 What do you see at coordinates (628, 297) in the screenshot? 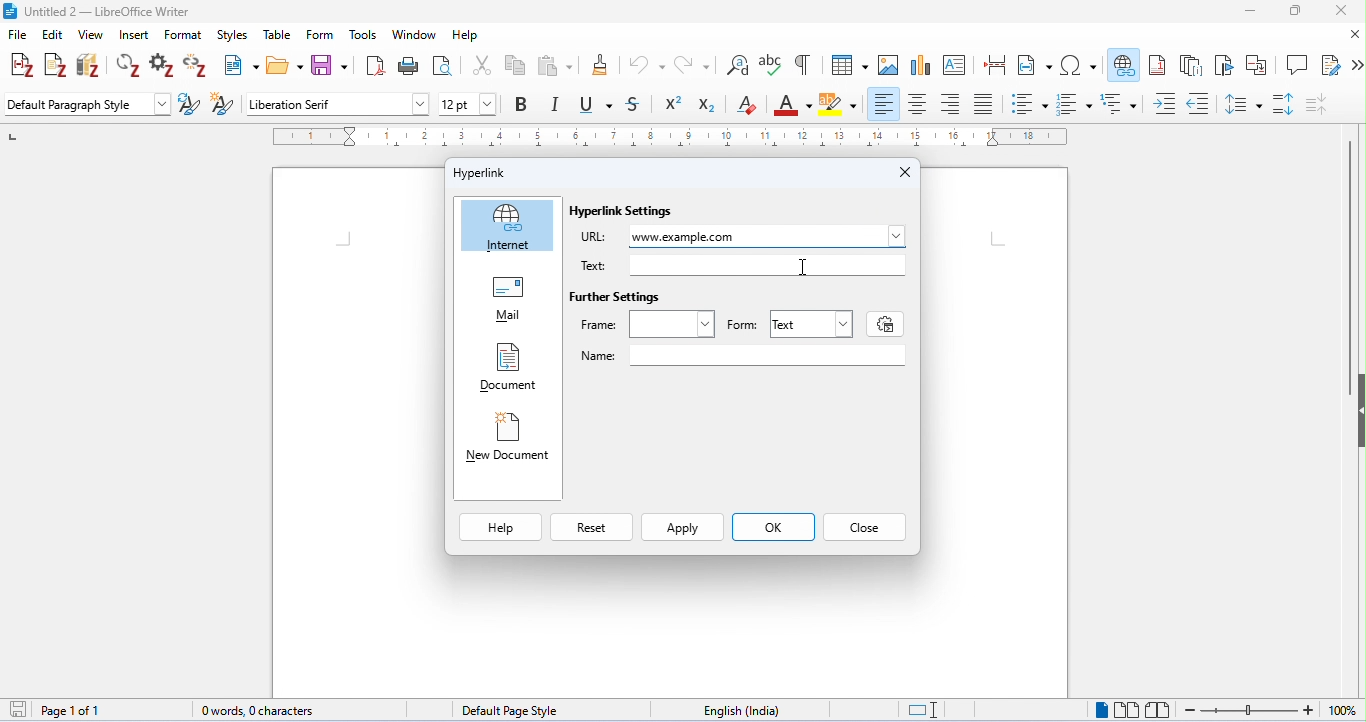
I see `Further Settings` at bounding box center [628, 297].